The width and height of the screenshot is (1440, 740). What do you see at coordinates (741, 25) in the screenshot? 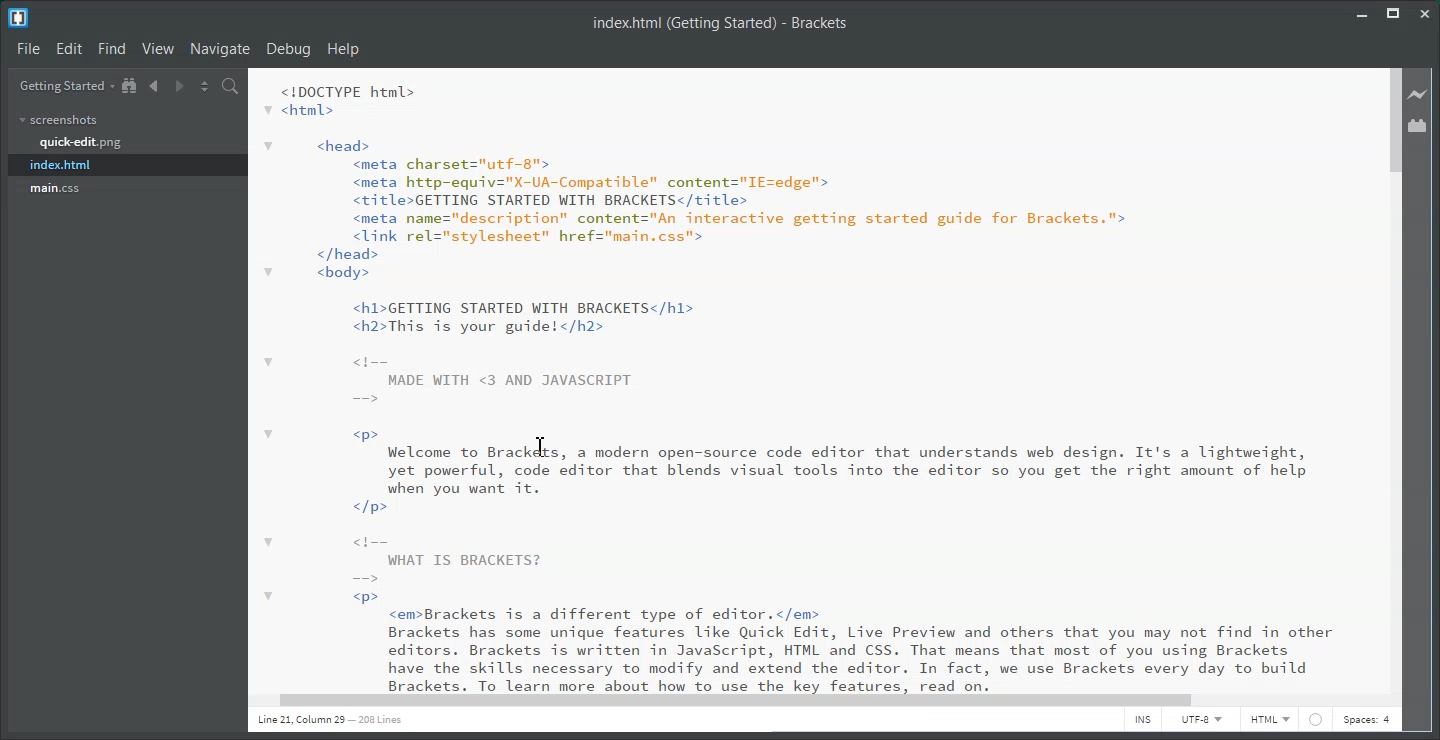
I see `index.html (Getting Started) - Brackets` at bounding box center [741, 25].